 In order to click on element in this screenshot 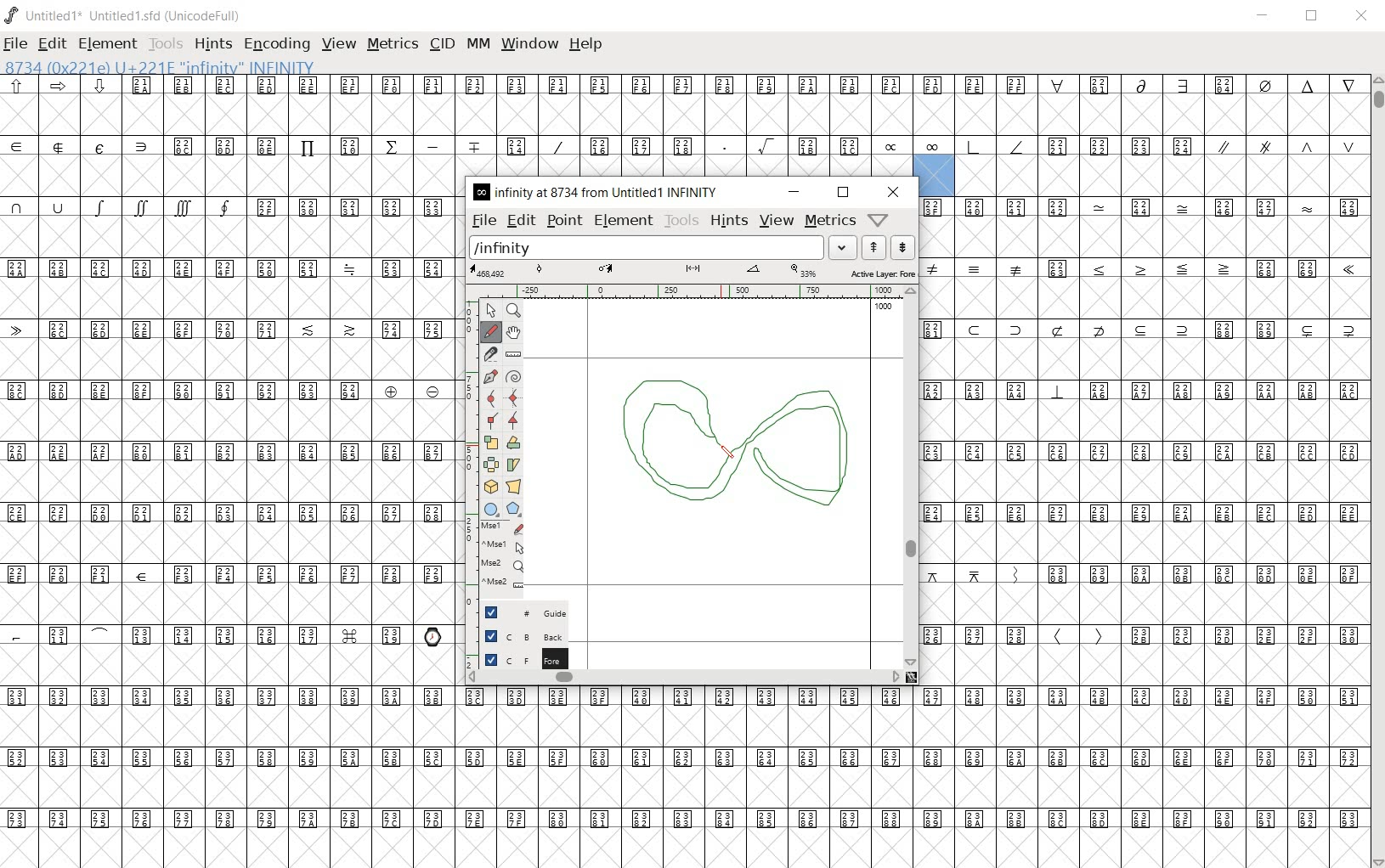, I will do `click(109, 43)`.